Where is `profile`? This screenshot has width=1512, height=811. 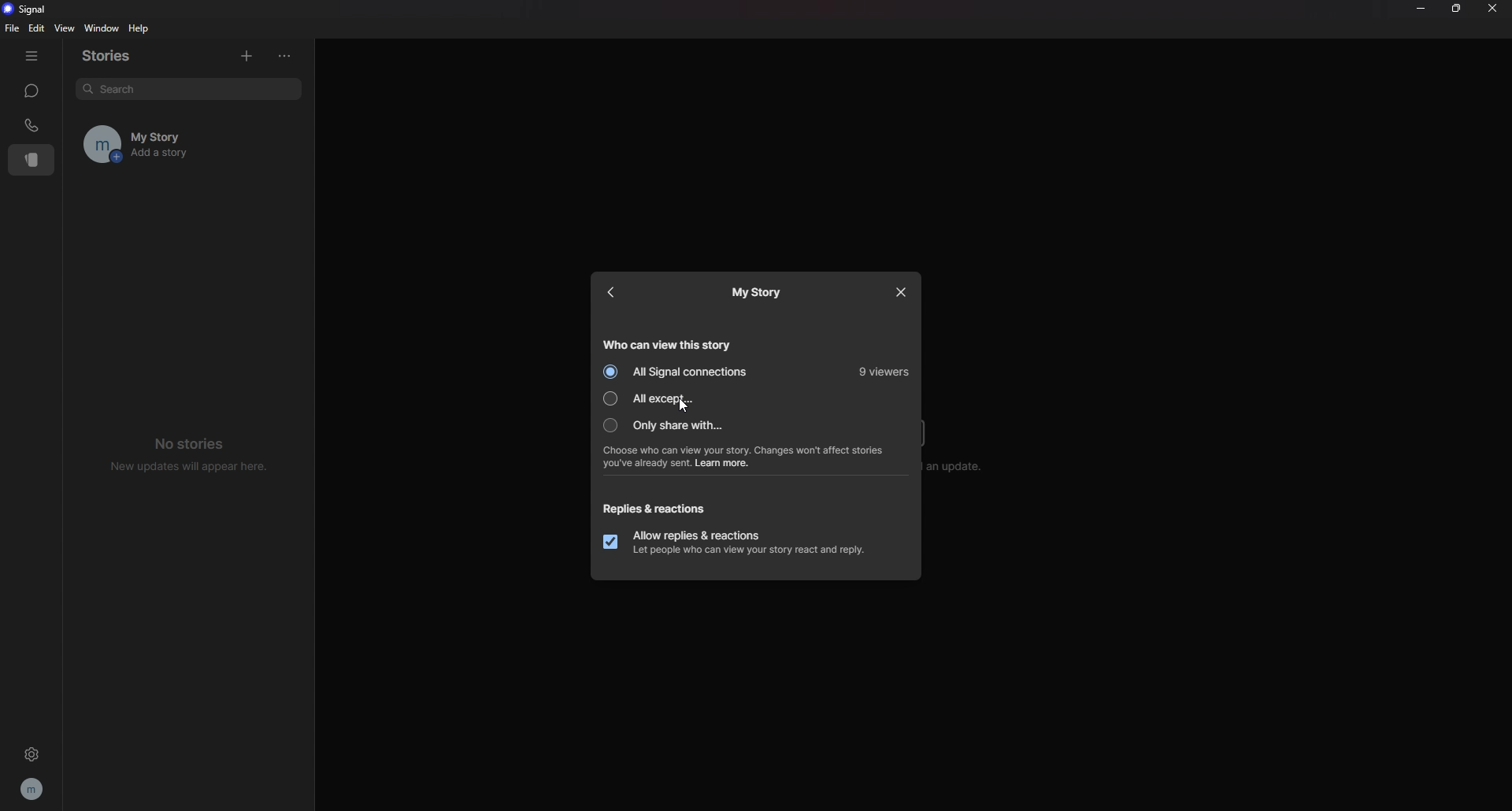
profile is located at coordinates (33, 788).